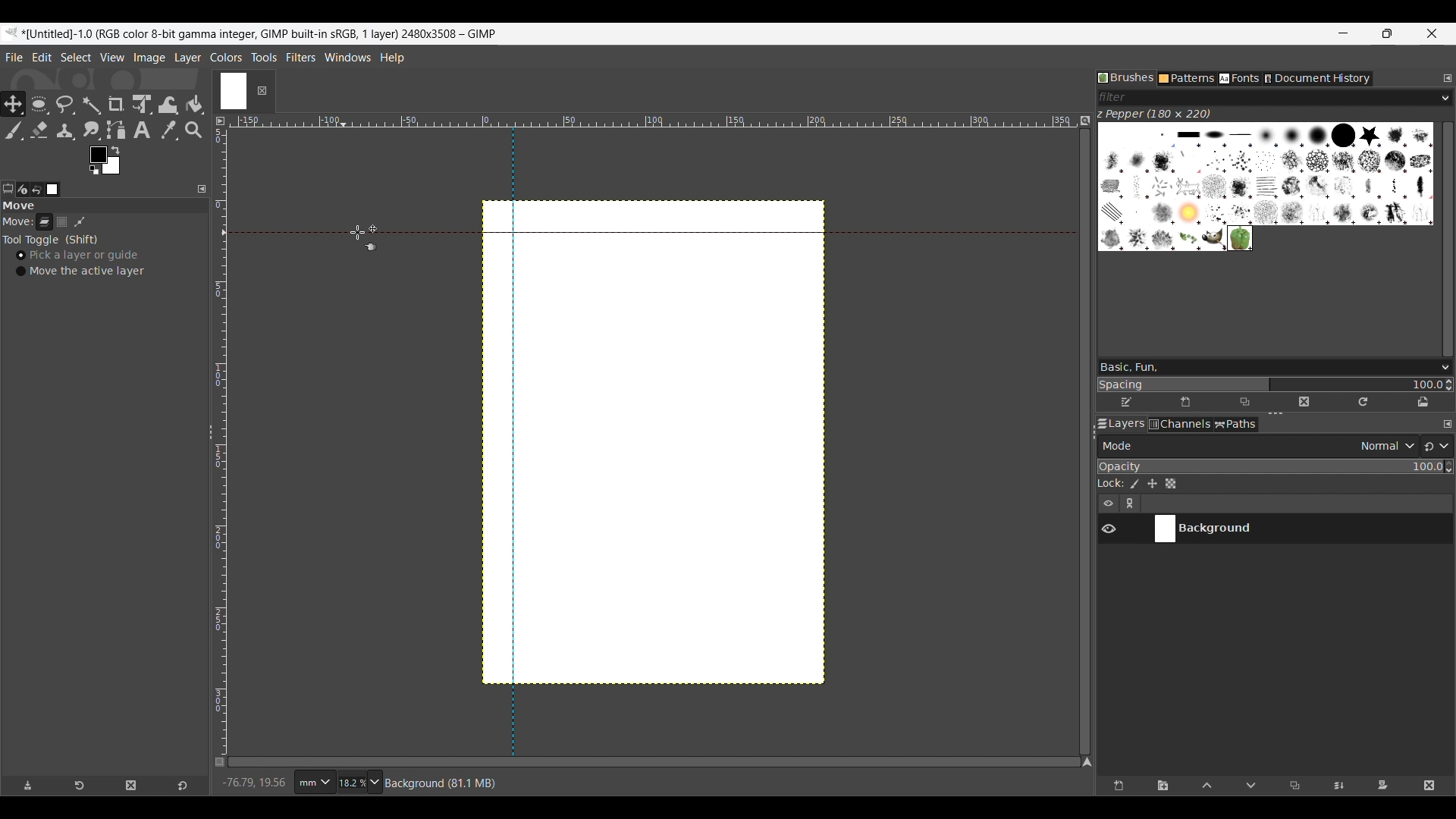 Image resolution: width=1456 pixels, height=819 pixels. I want to click on Vertical ruler, so click(224, 438).